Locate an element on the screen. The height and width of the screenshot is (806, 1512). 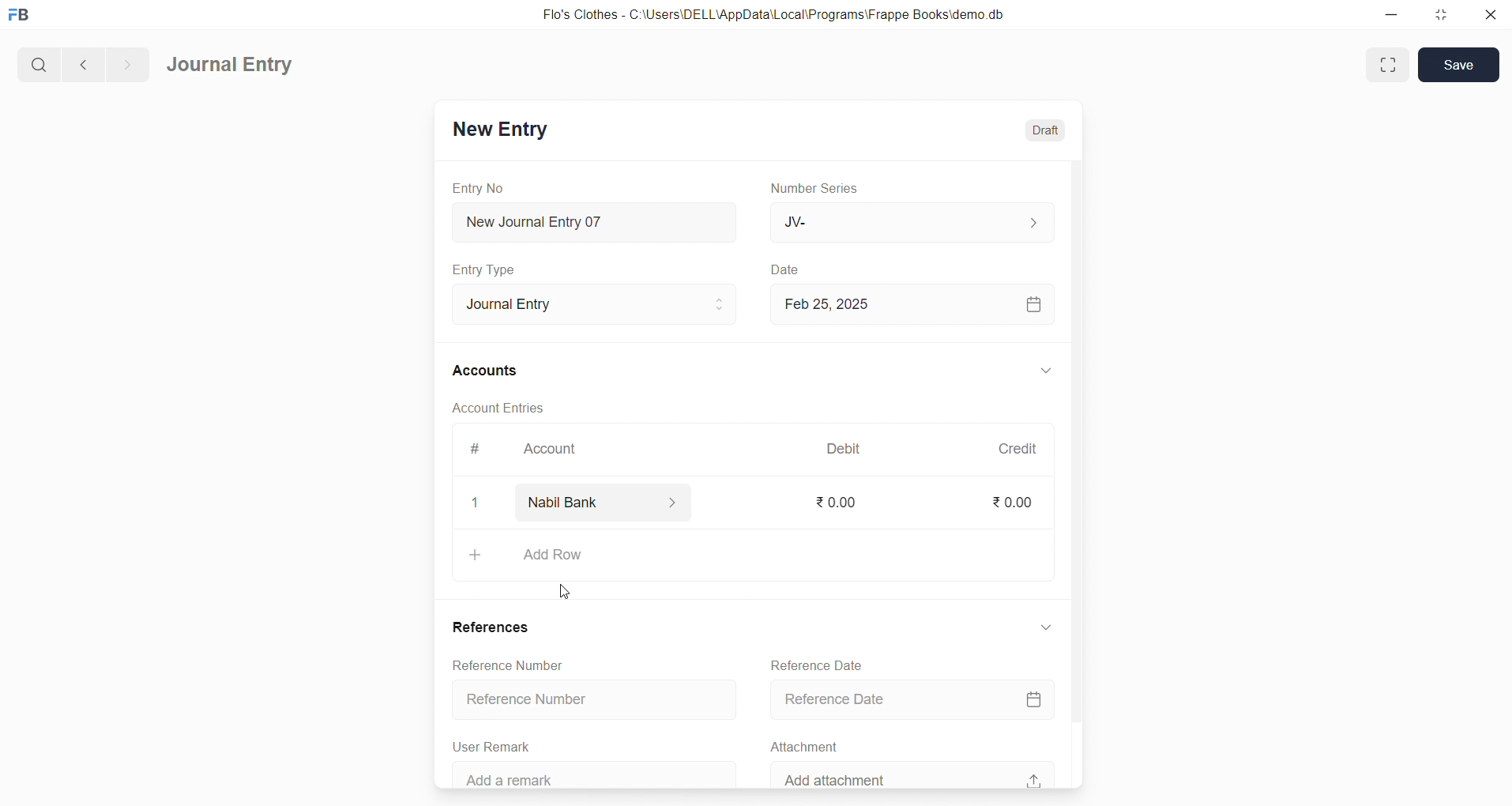
₹ 0.00 is located at coordinates (1011, 502).